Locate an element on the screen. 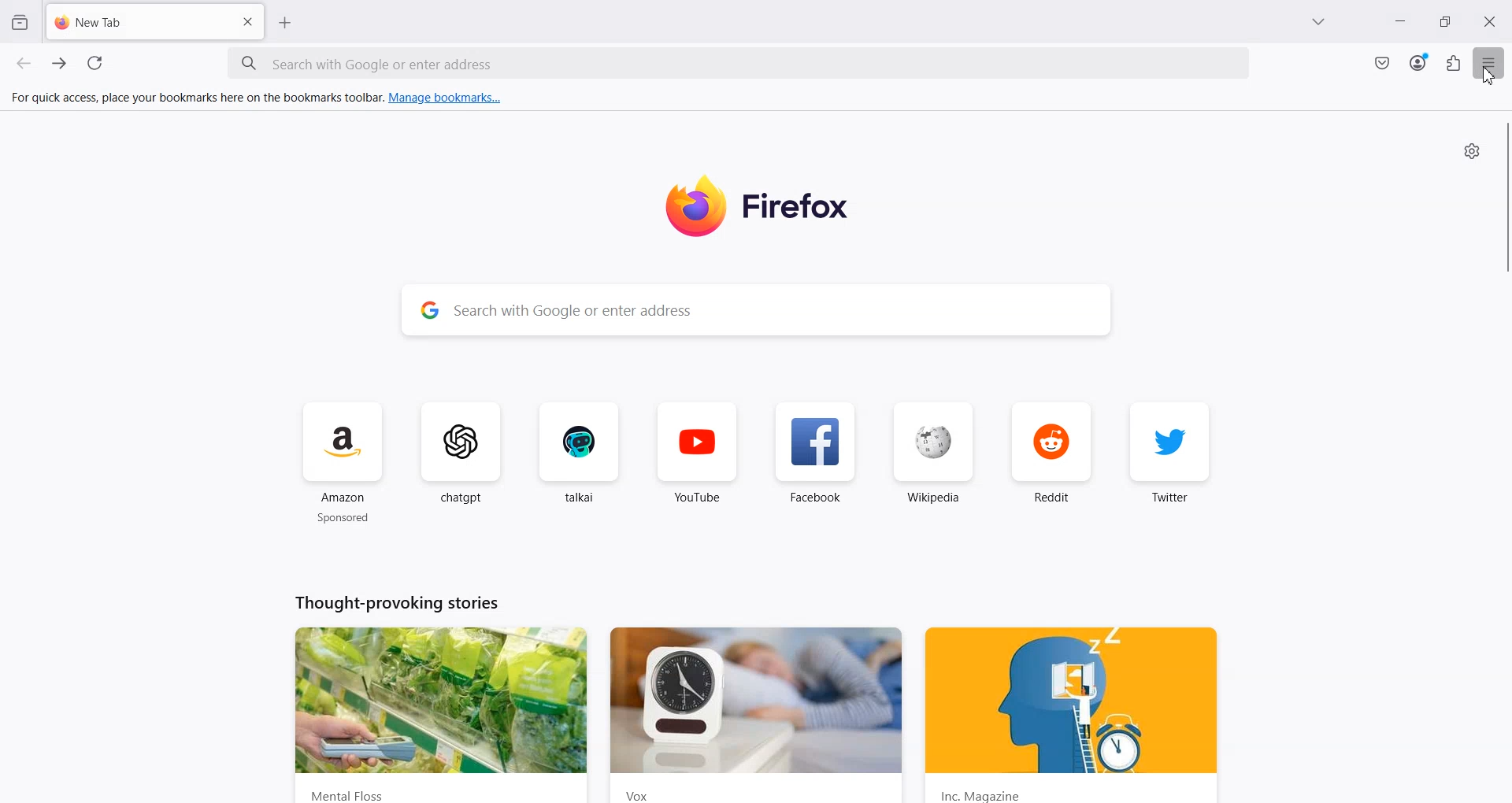 This screenshot has height=803, width=1512. View recent browsing across window is located at coordinates (19, 21).